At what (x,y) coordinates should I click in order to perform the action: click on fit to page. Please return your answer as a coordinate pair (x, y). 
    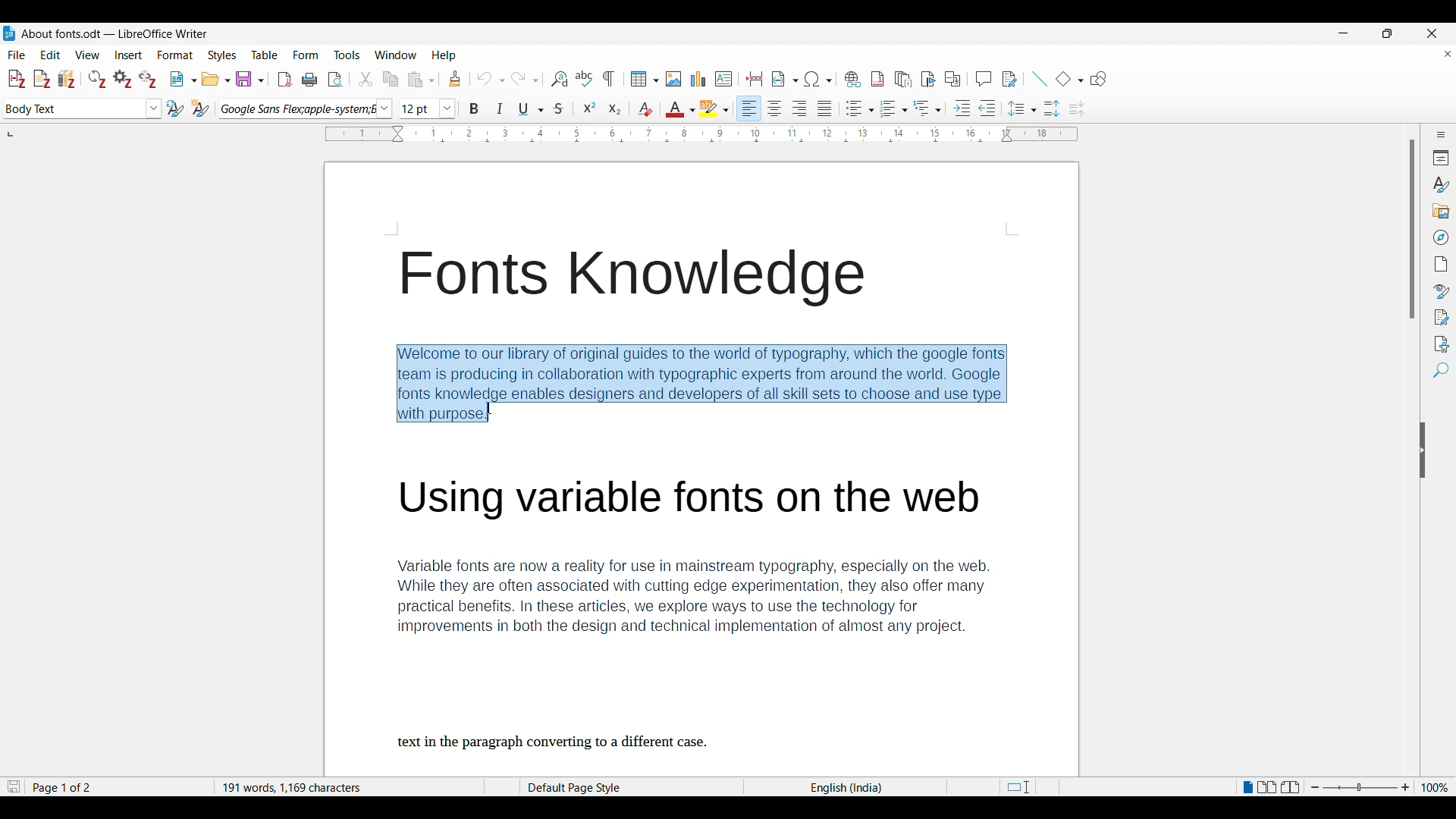
    Looking at the image, I should click on (1027, 788).